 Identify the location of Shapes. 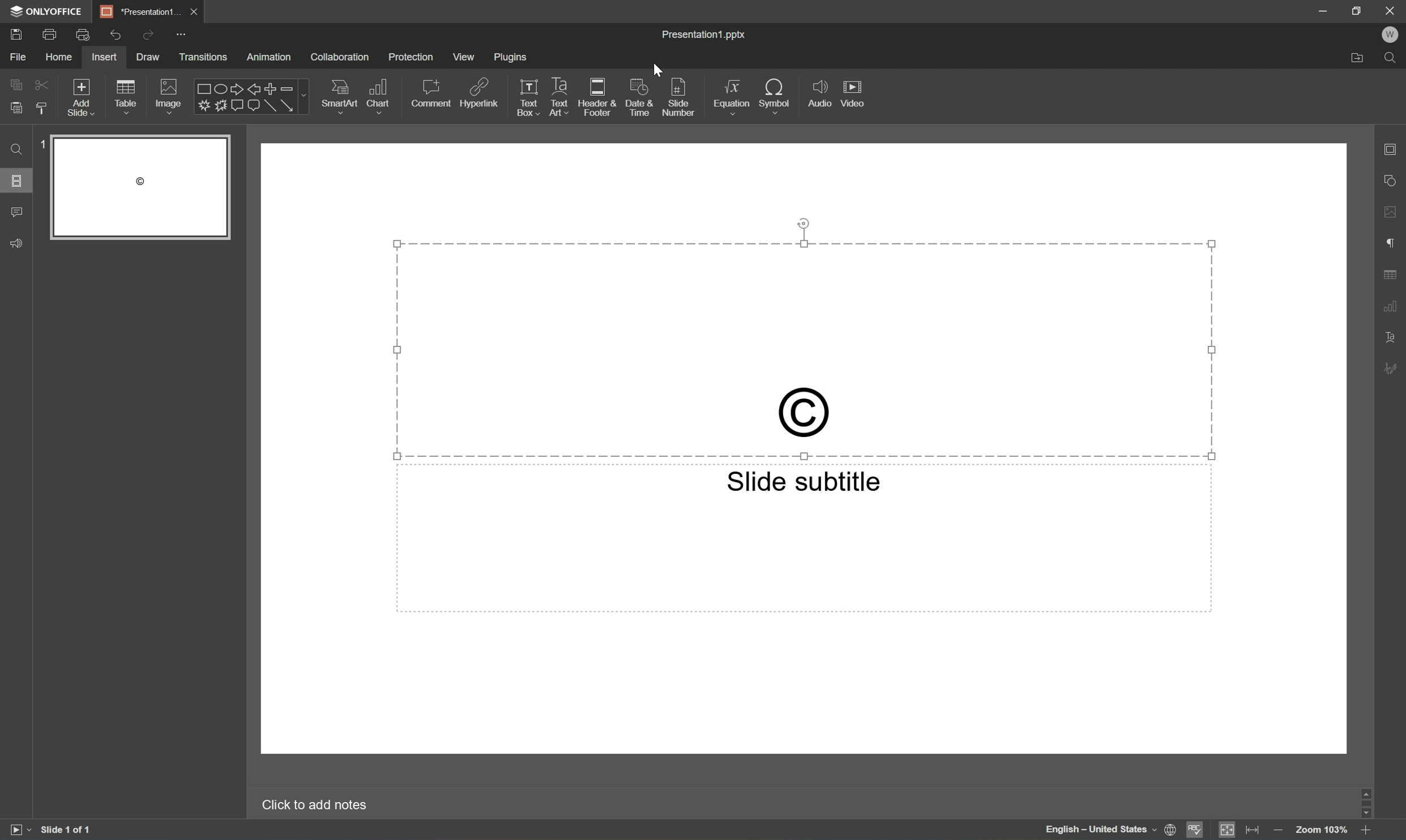
(253, 96).